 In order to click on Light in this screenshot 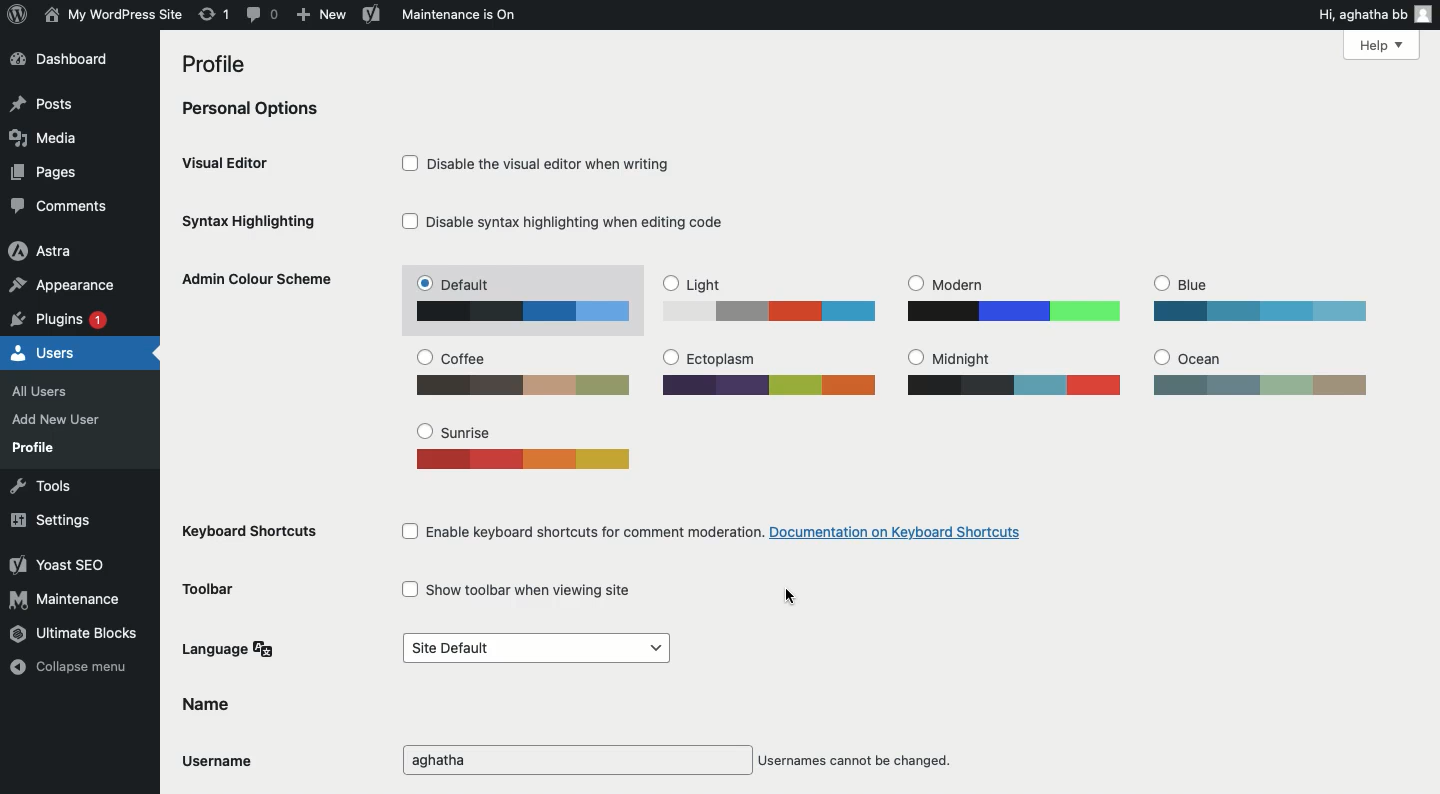, I will do `click(770, 300)`.